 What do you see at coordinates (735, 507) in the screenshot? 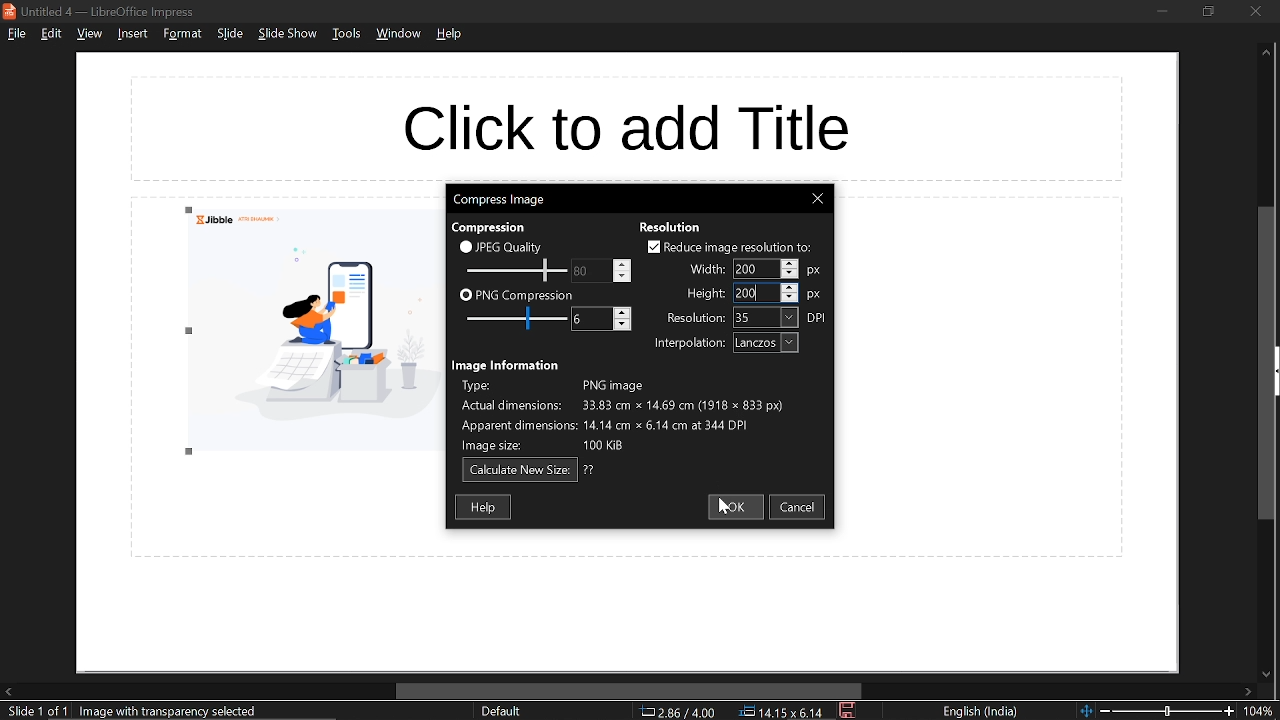
I see `ok` at bounding box center [735, 507].